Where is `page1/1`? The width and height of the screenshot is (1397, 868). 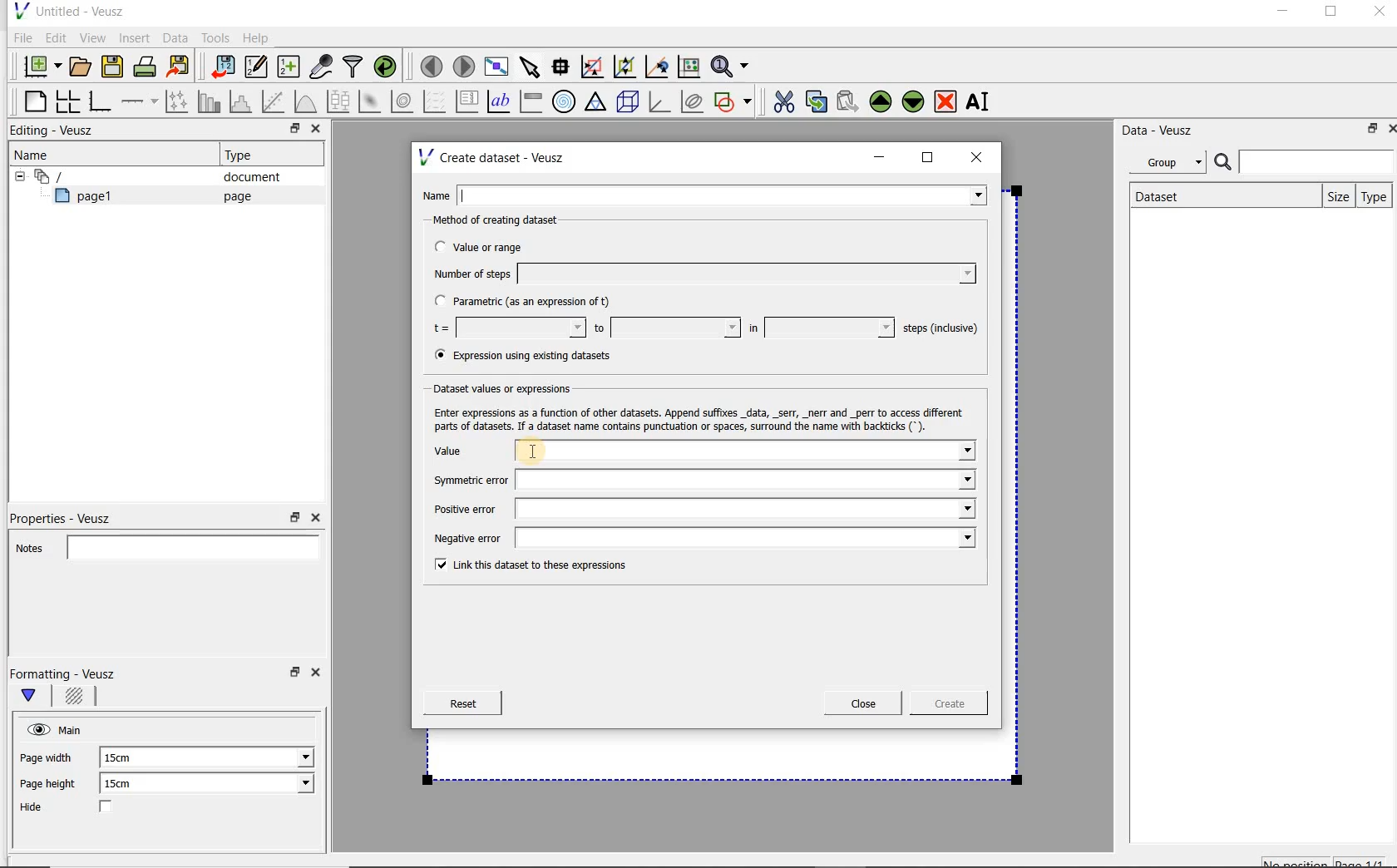 page1/1 is located at coordinates (1366, 861).